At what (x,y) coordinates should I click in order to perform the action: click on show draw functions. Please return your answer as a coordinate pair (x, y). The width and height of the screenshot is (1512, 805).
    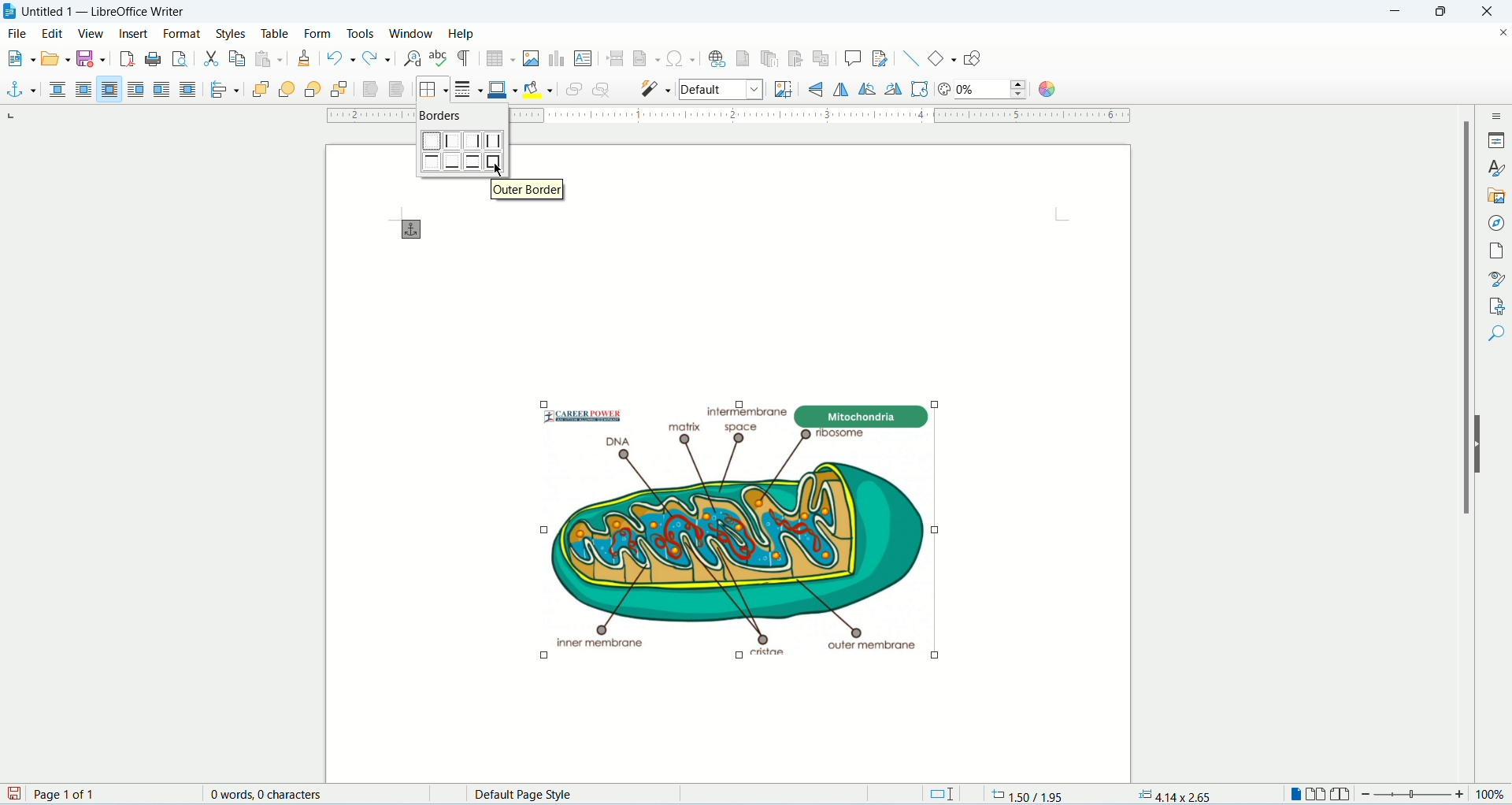
    Looking at the image, I should click on (974, 57).